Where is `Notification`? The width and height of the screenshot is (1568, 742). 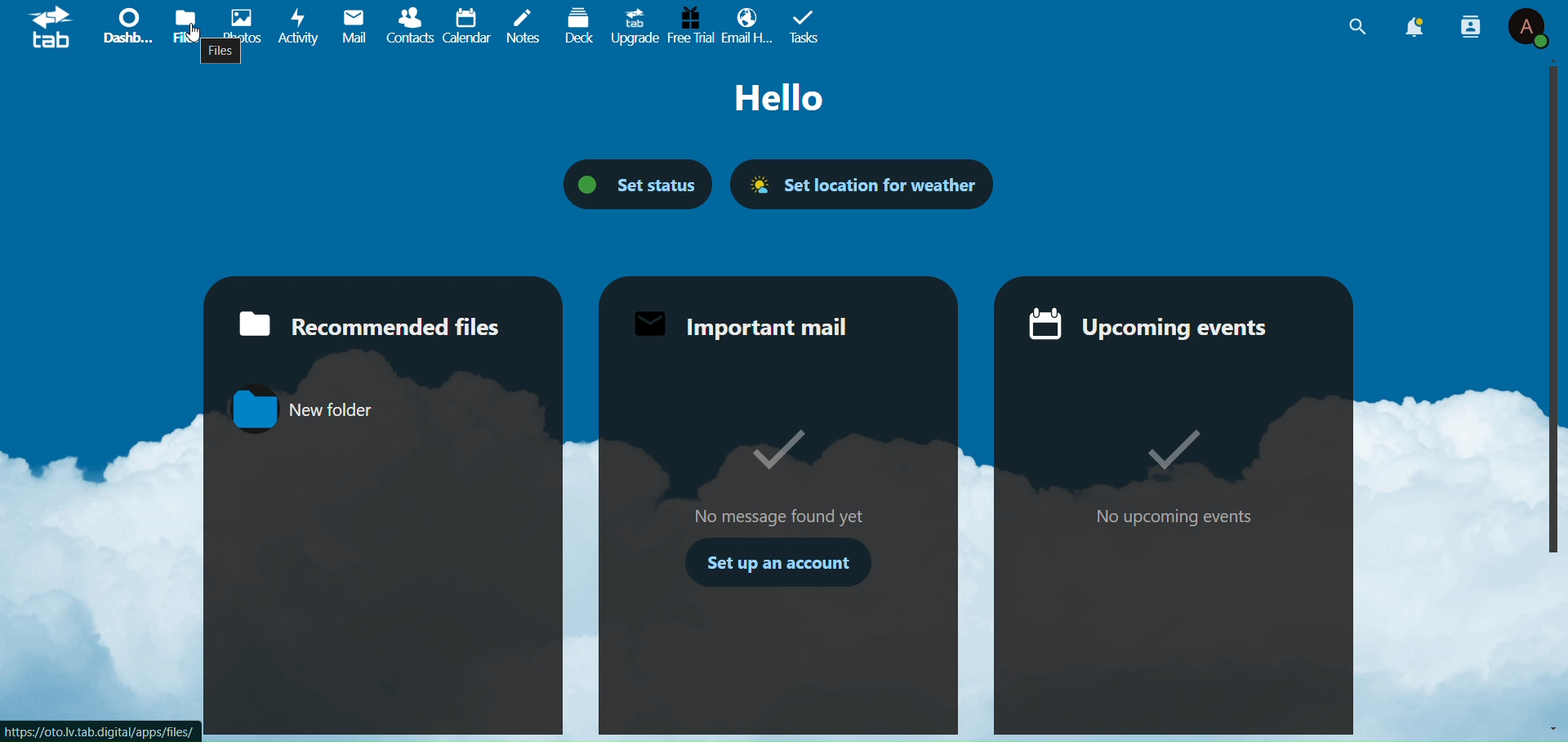 Notification is located at coordinates (1415, 27).